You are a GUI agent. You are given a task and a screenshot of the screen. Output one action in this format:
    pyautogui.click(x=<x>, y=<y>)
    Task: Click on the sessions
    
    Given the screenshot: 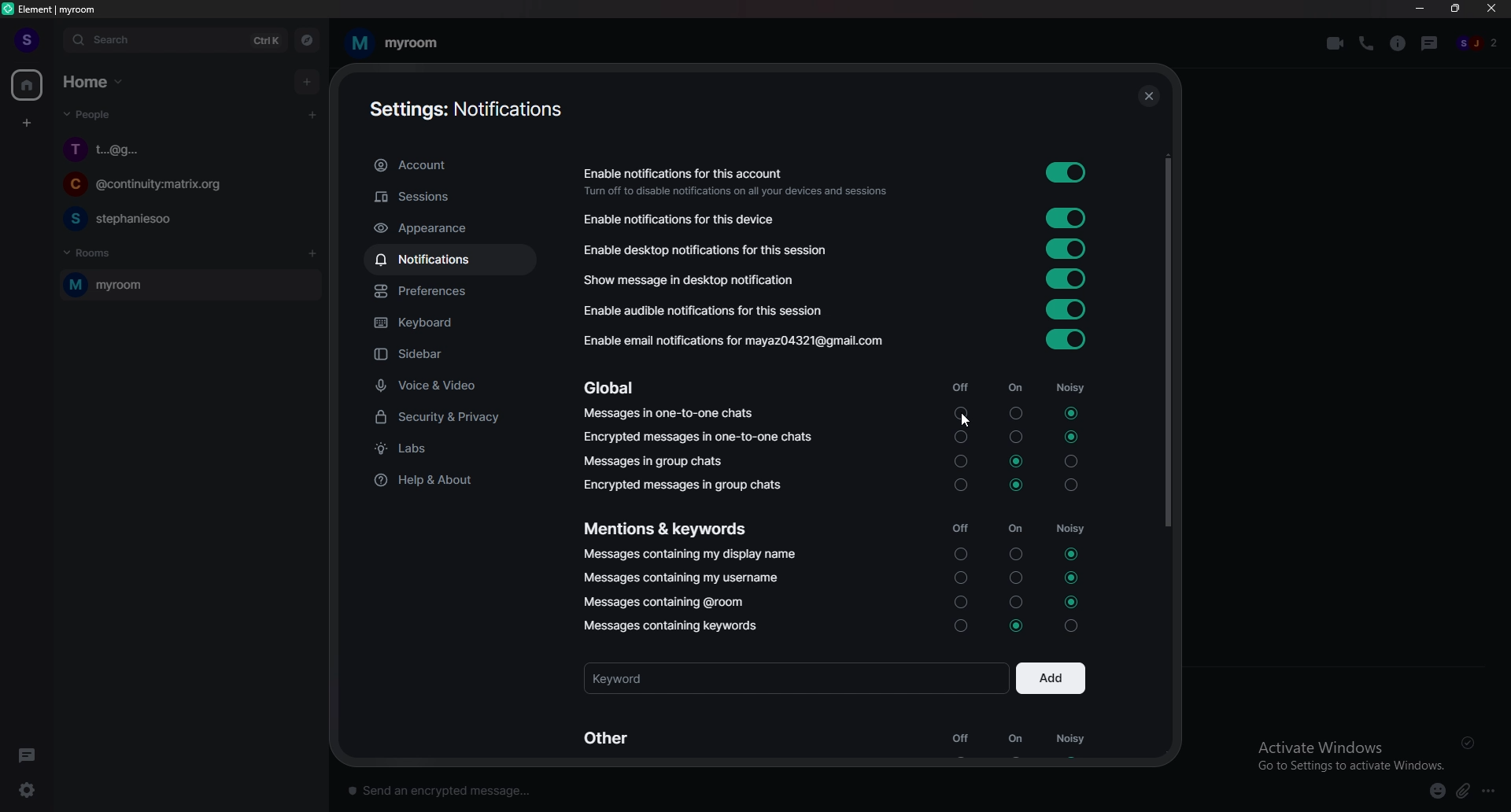 What is the action you would take?
    pyautogui.click(x=451, y=197)
    